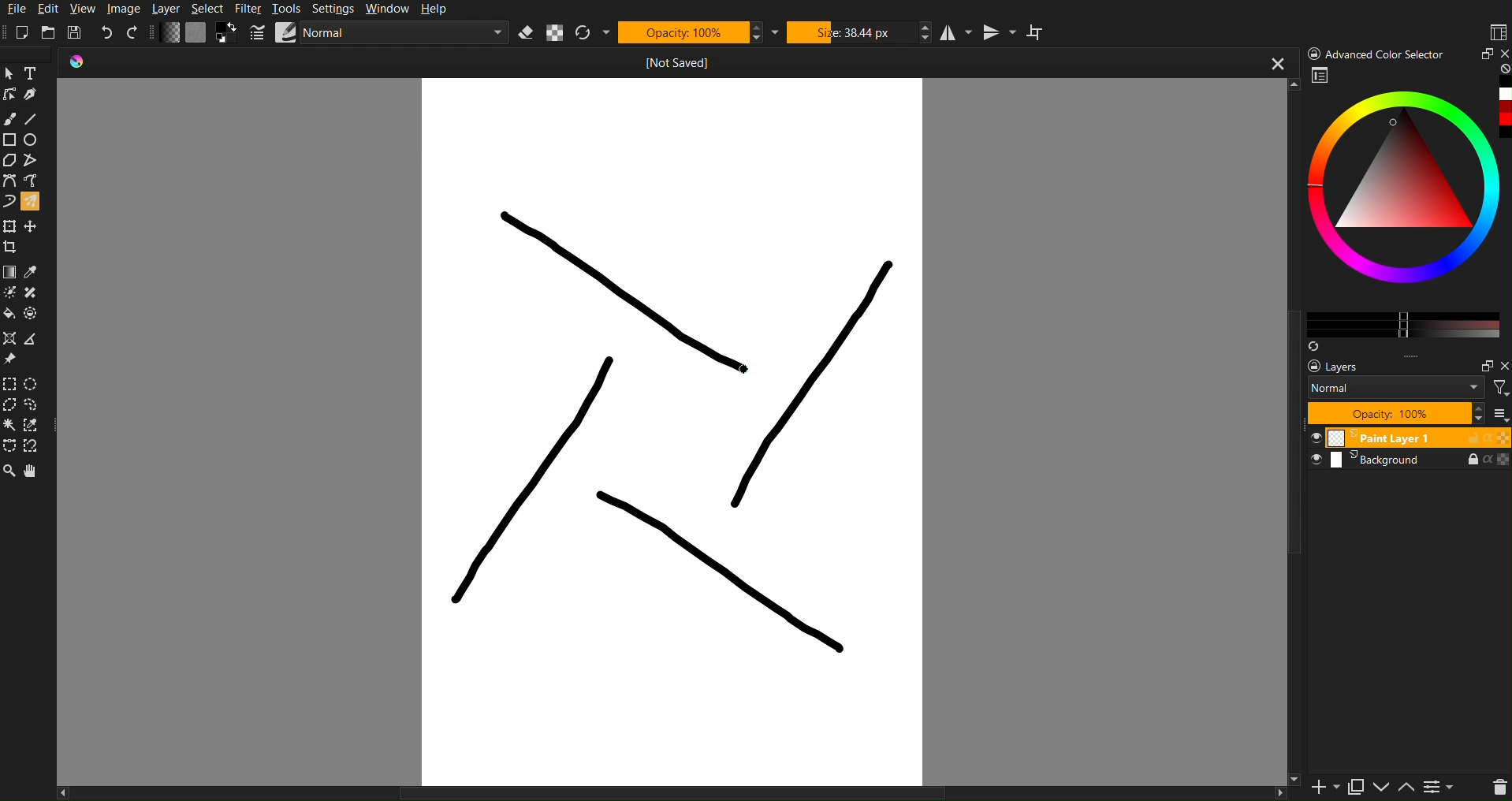  Describe the element at coordinates (1039, 34) in the screenshot. I see `Wrap Around Mode` at that location.